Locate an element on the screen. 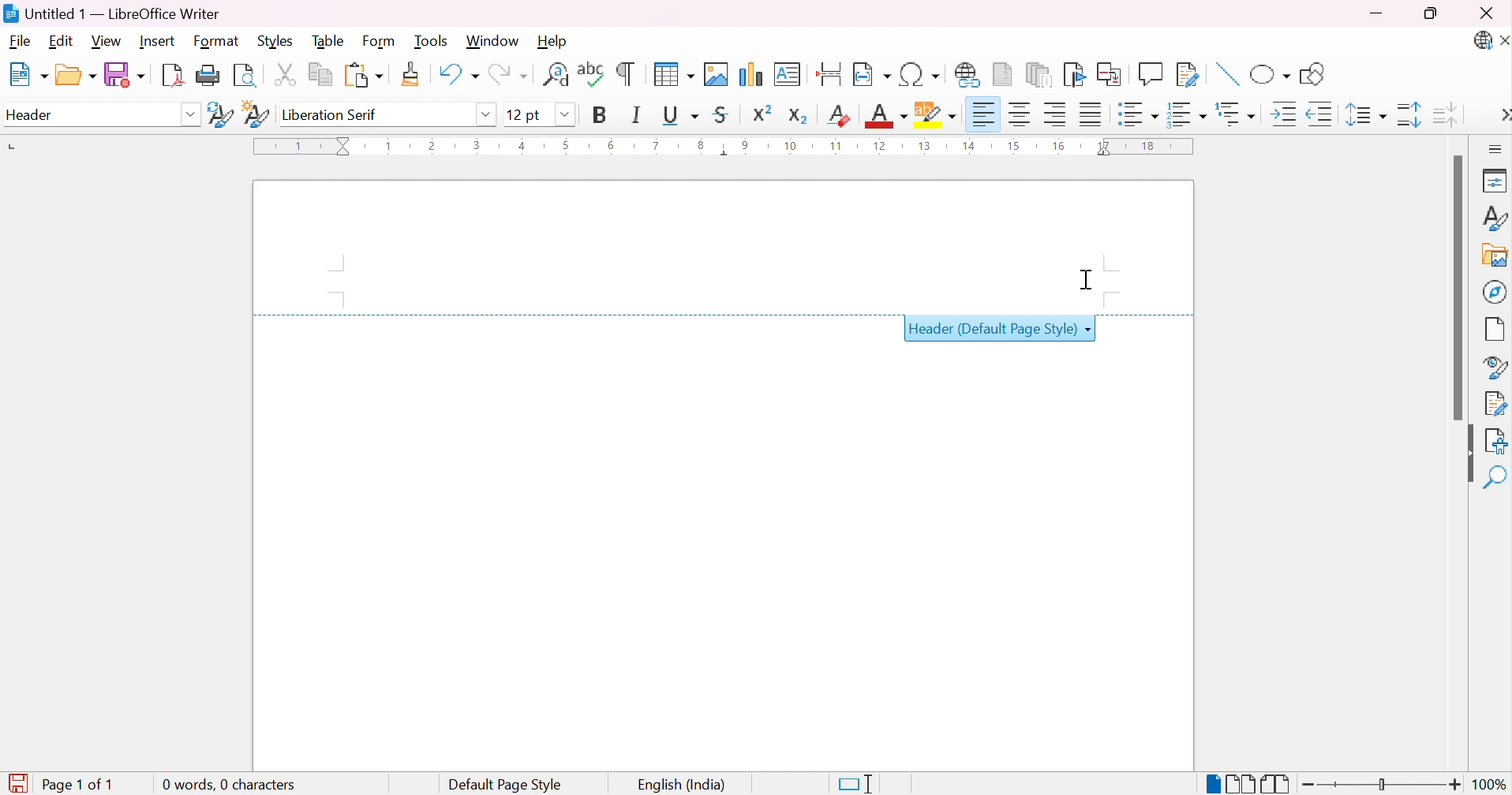  Help is located at coordinates (556, 41).